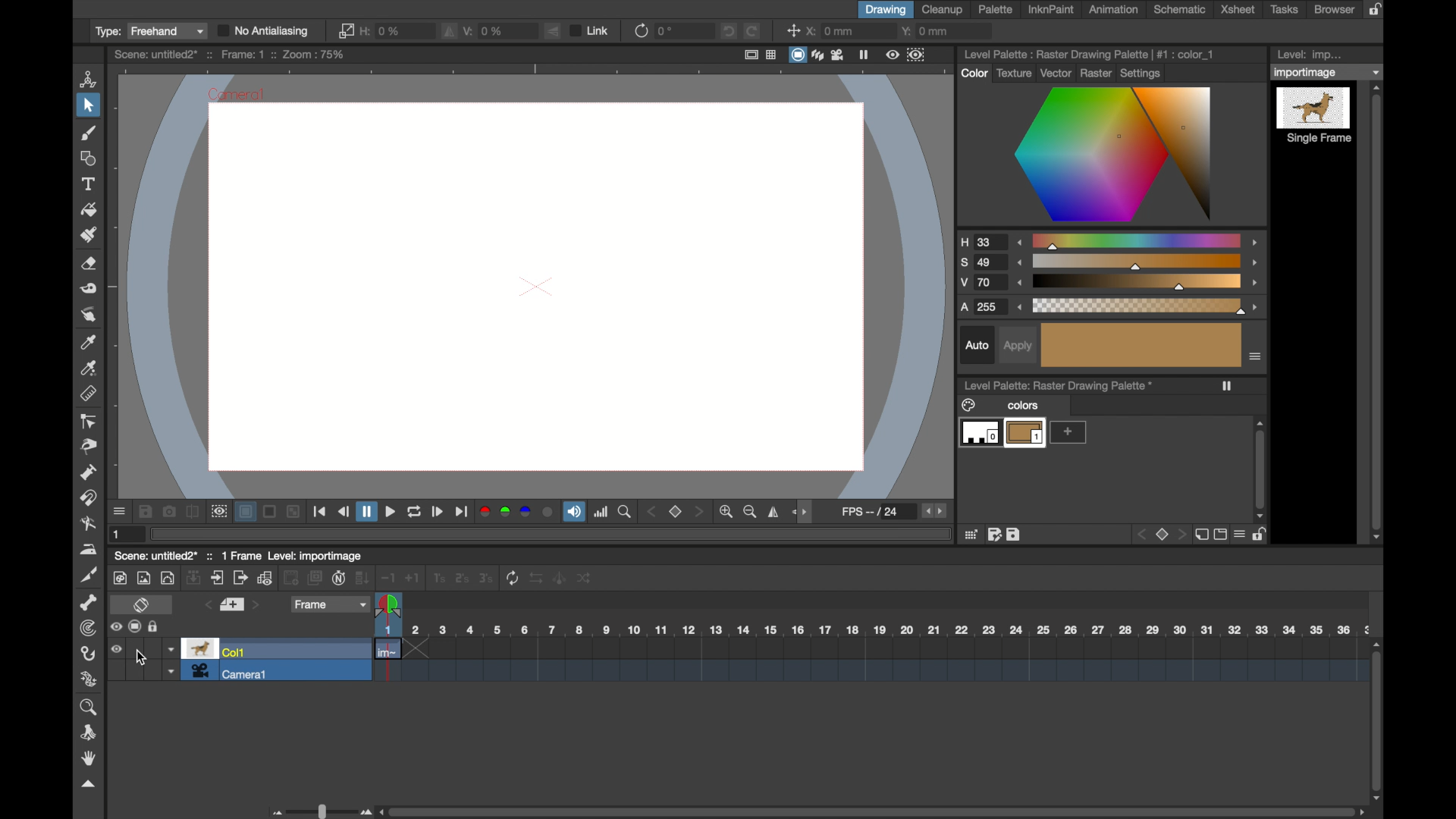 The width and height of the screenshot is (1456, 819). I want to click on -1, so click(388, 578).